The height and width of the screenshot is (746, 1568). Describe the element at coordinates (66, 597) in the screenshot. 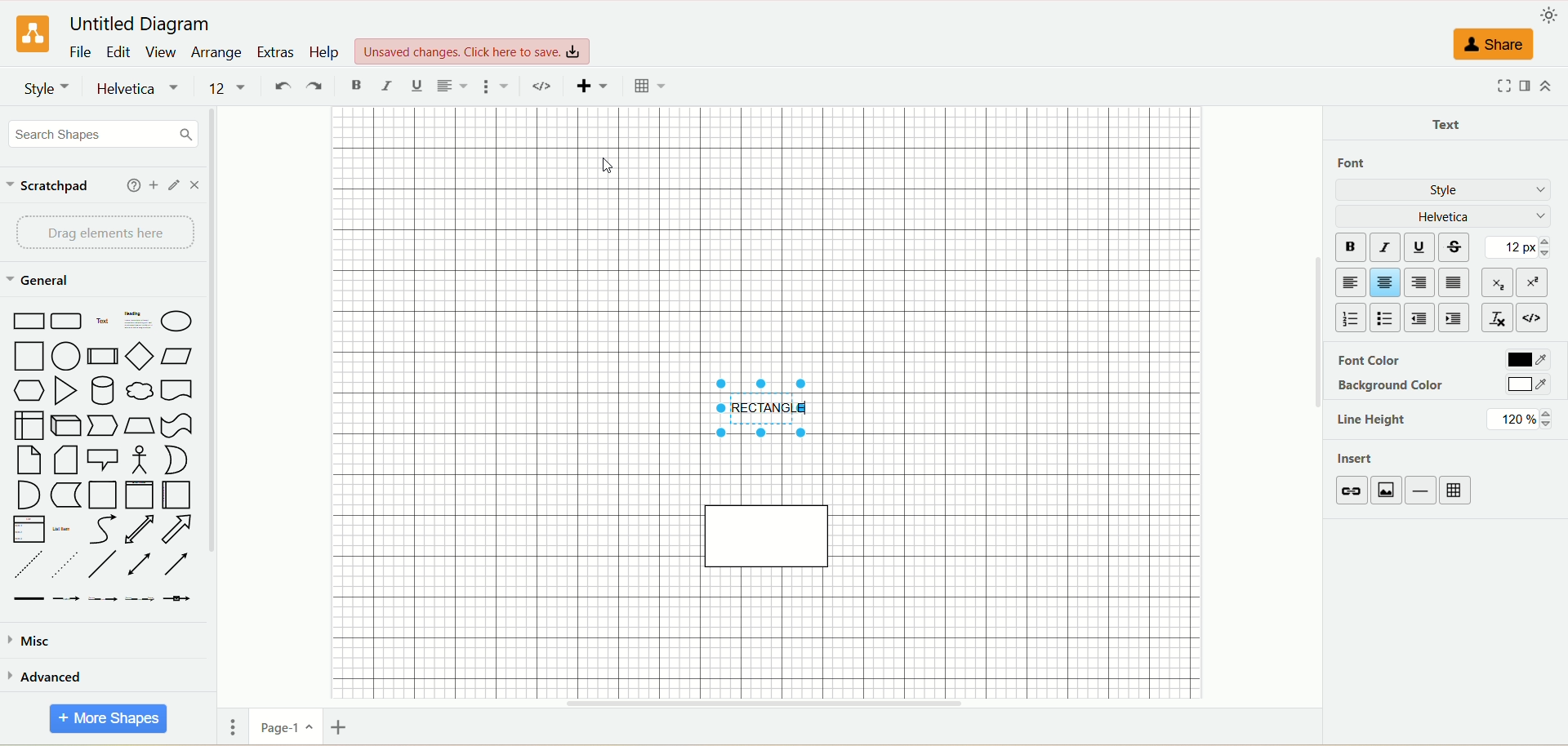

I see `connector 2` at that location.